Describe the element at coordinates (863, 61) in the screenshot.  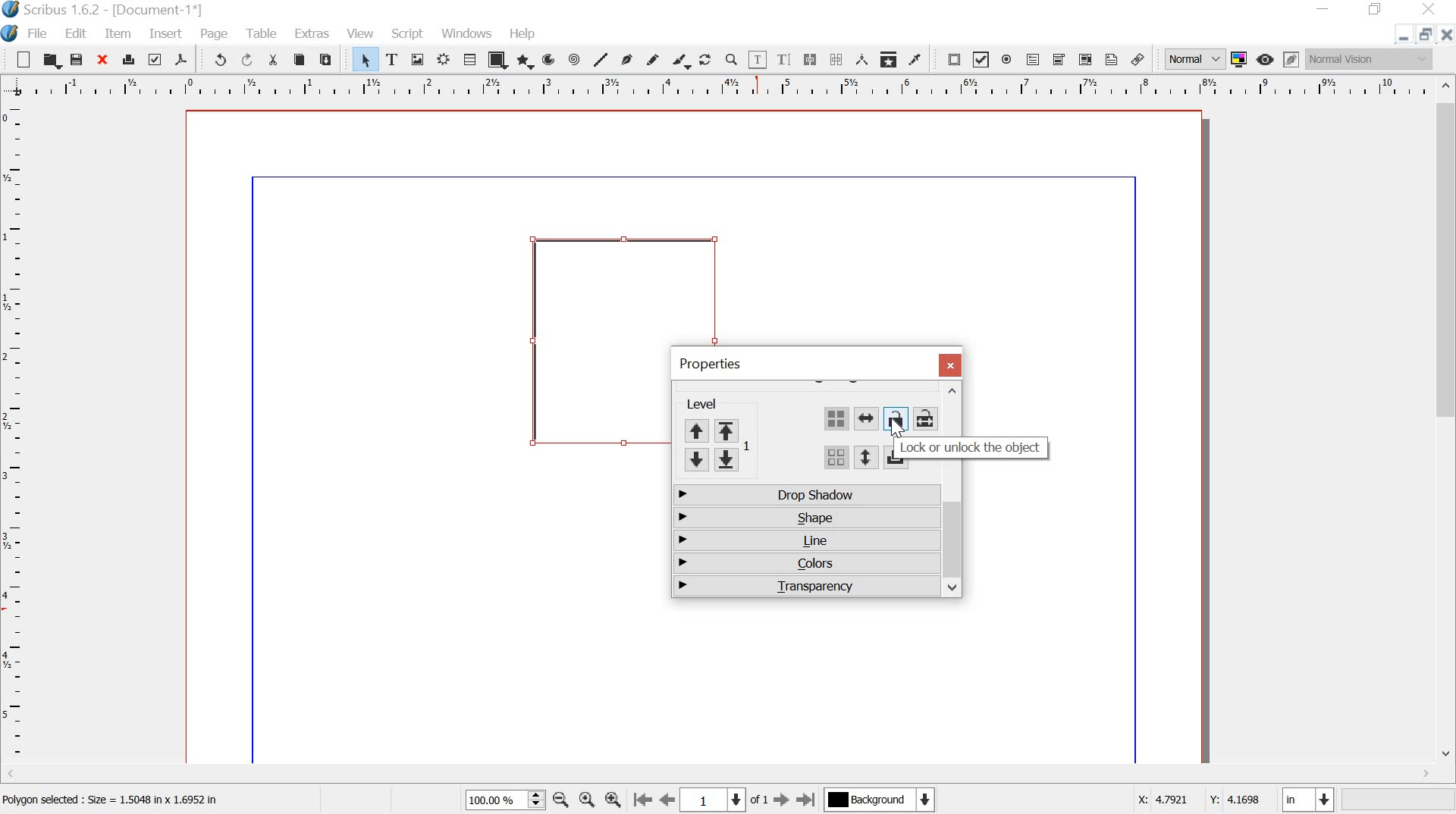
I see `measurements` at that location.